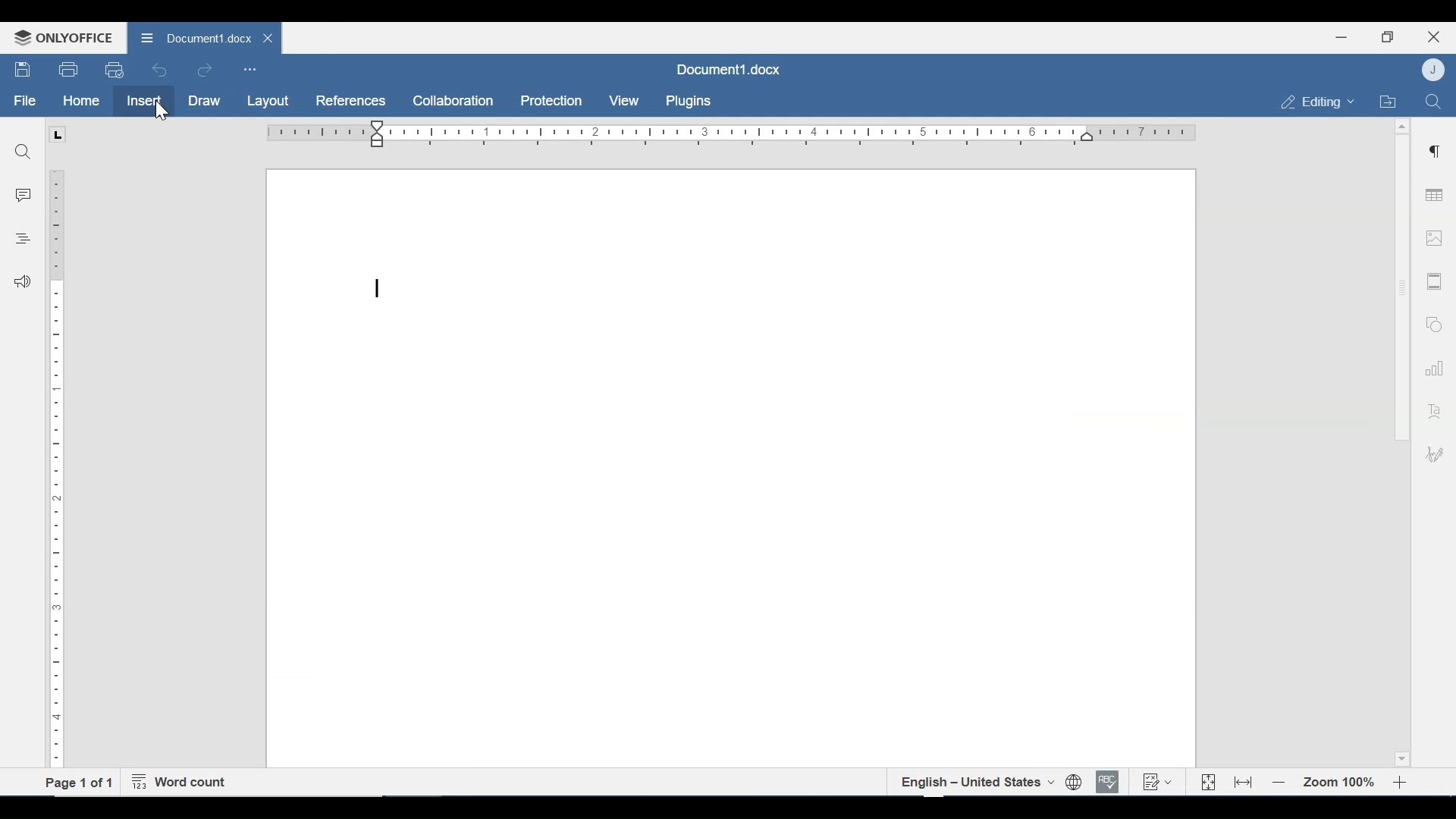 This screenshot has height=819, width=1456. I want to click on Zoom out, so click(1279, 783).